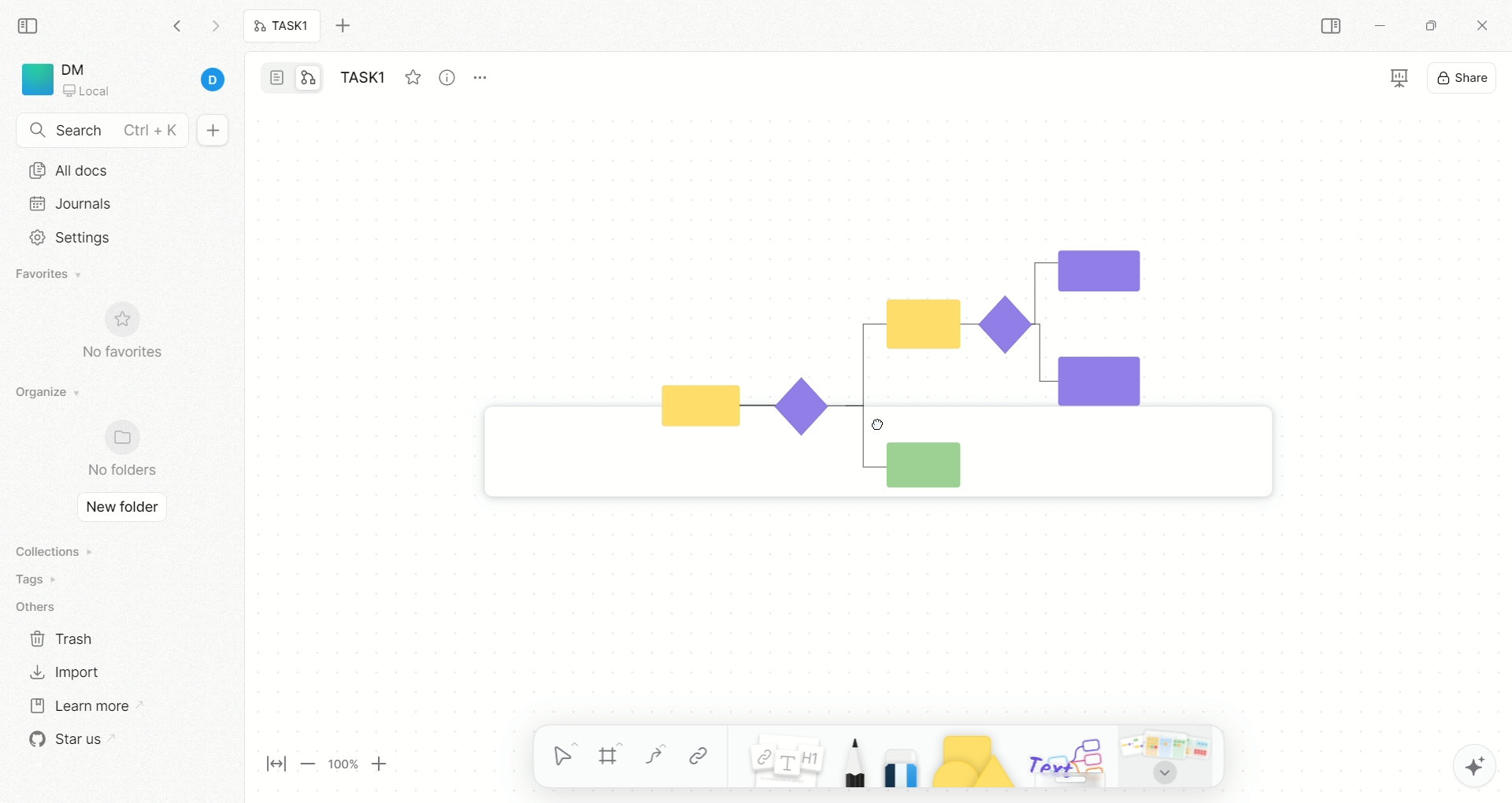 The height and width of the screenshot is (803, 1512). I want to click on text, so click(1065, 759).